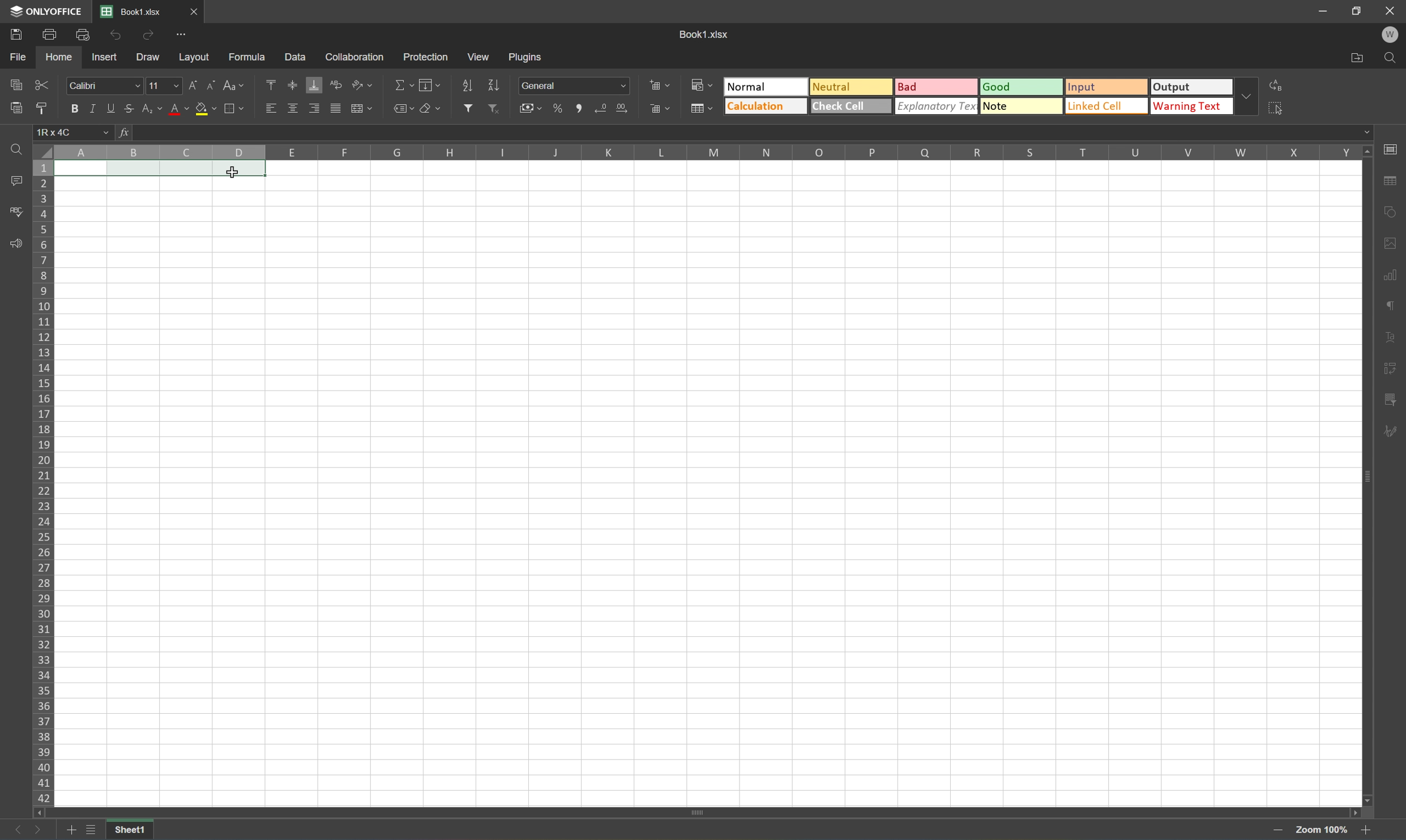 The height and width of the screenshot is (840, 1406). I want to click on Scroll down, so click(1369, 800).